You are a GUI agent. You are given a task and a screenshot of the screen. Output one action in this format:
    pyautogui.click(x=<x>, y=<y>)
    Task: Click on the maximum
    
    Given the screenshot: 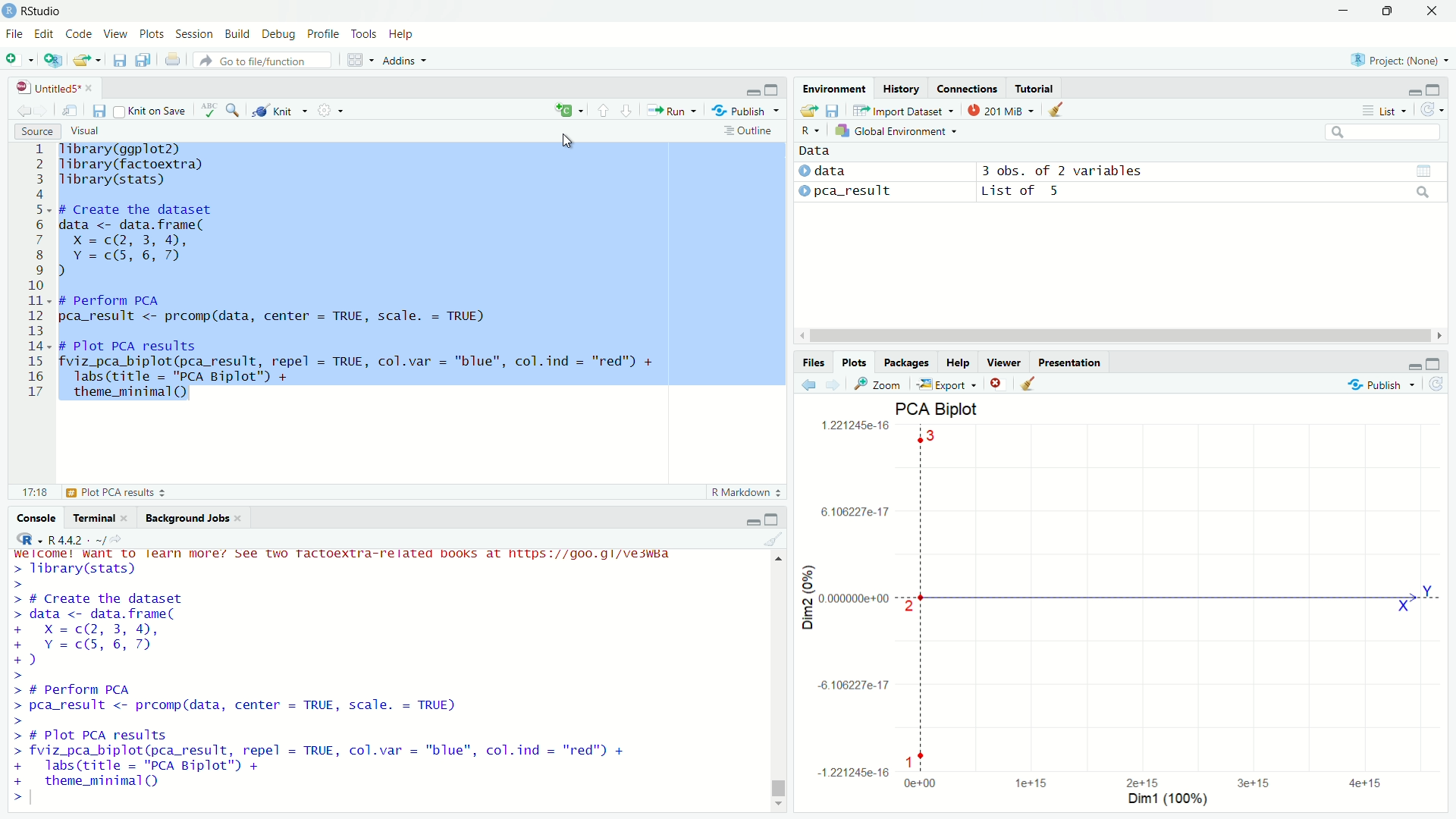 What is the action you would take?
    pyautogui.click(x=1435, y=362)
    